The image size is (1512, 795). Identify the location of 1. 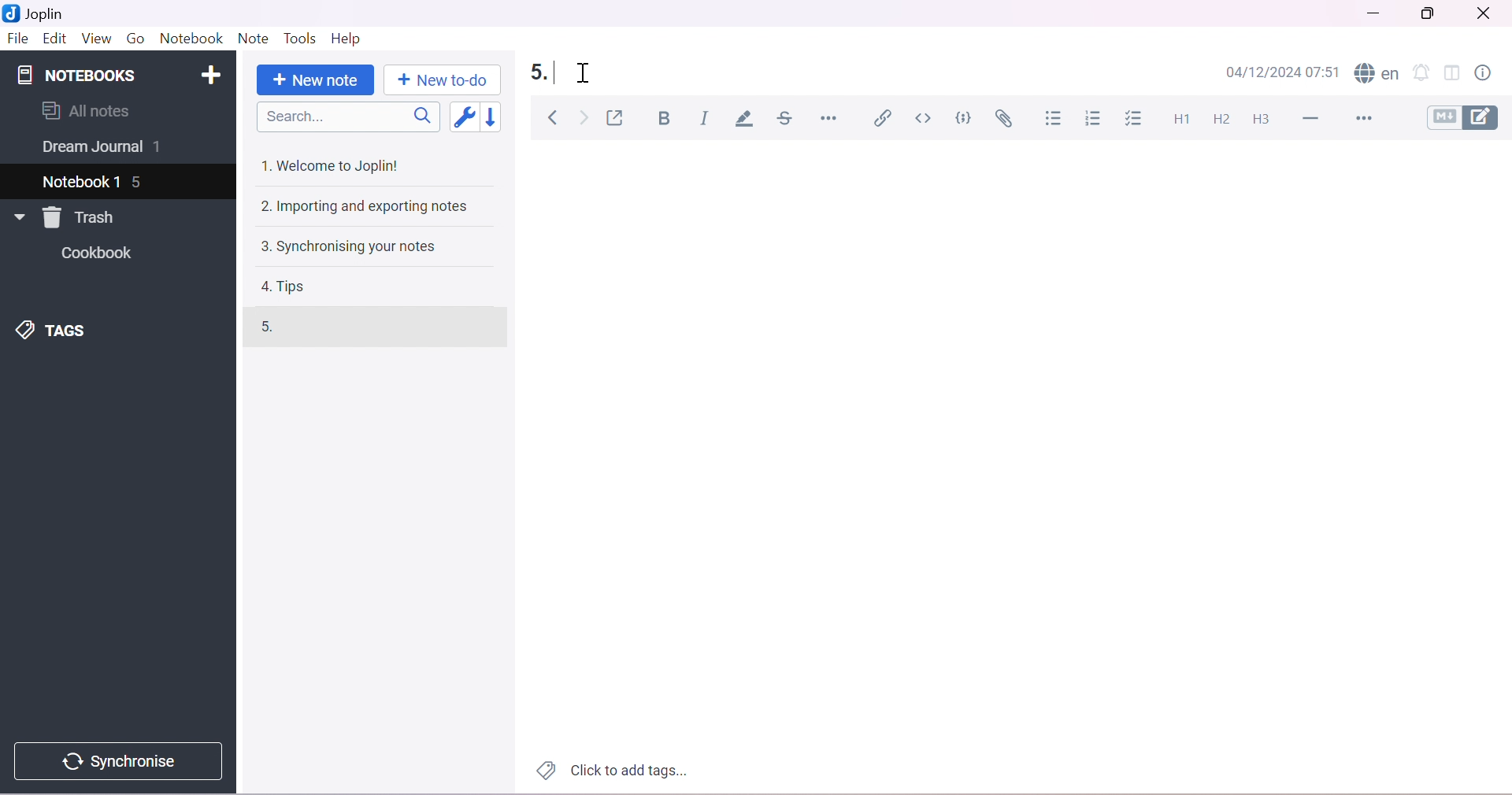
(162, 148).